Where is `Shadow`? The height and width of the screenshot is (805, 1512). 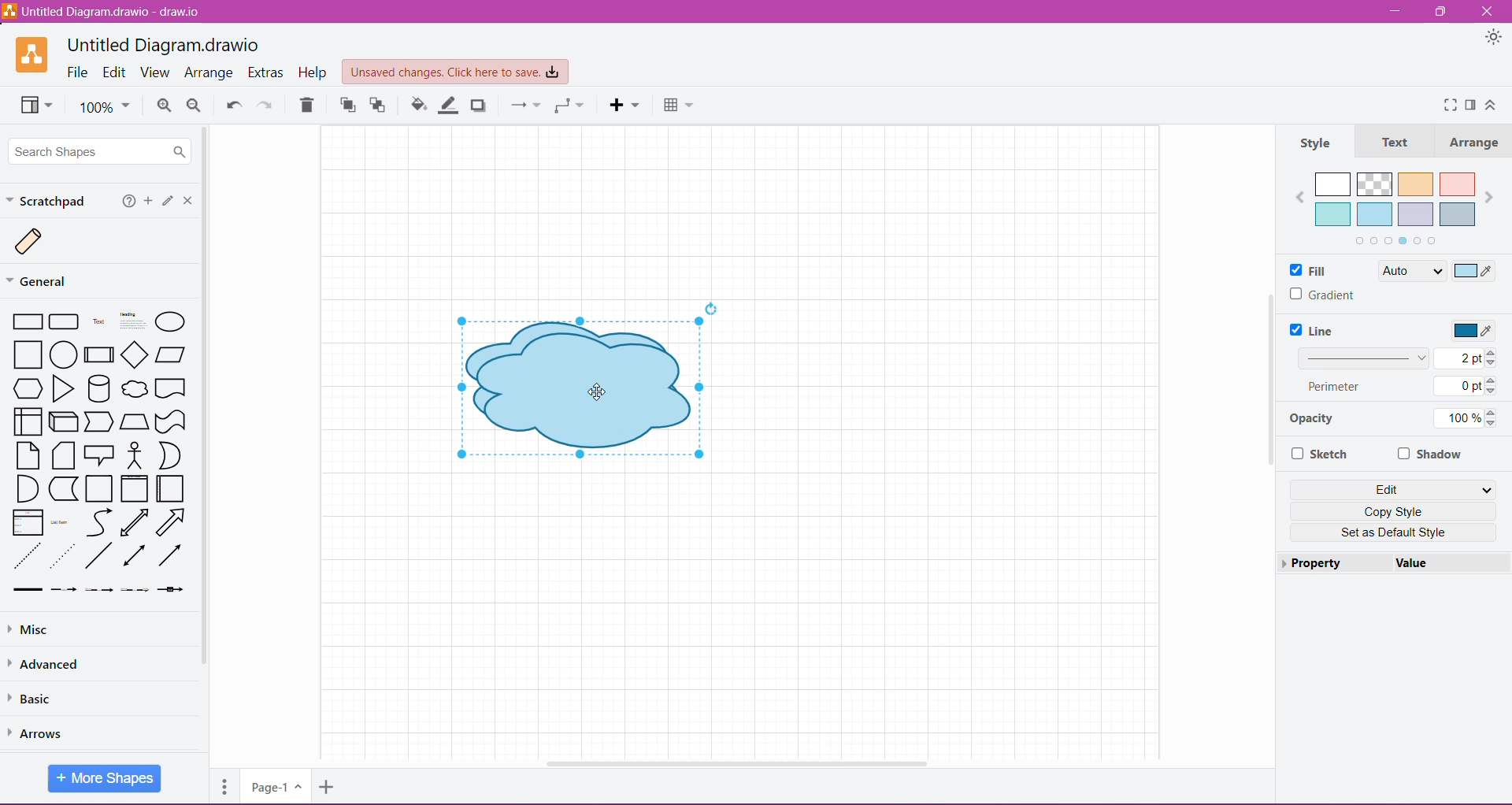
Shadow is located at coordinates (1431, 454).